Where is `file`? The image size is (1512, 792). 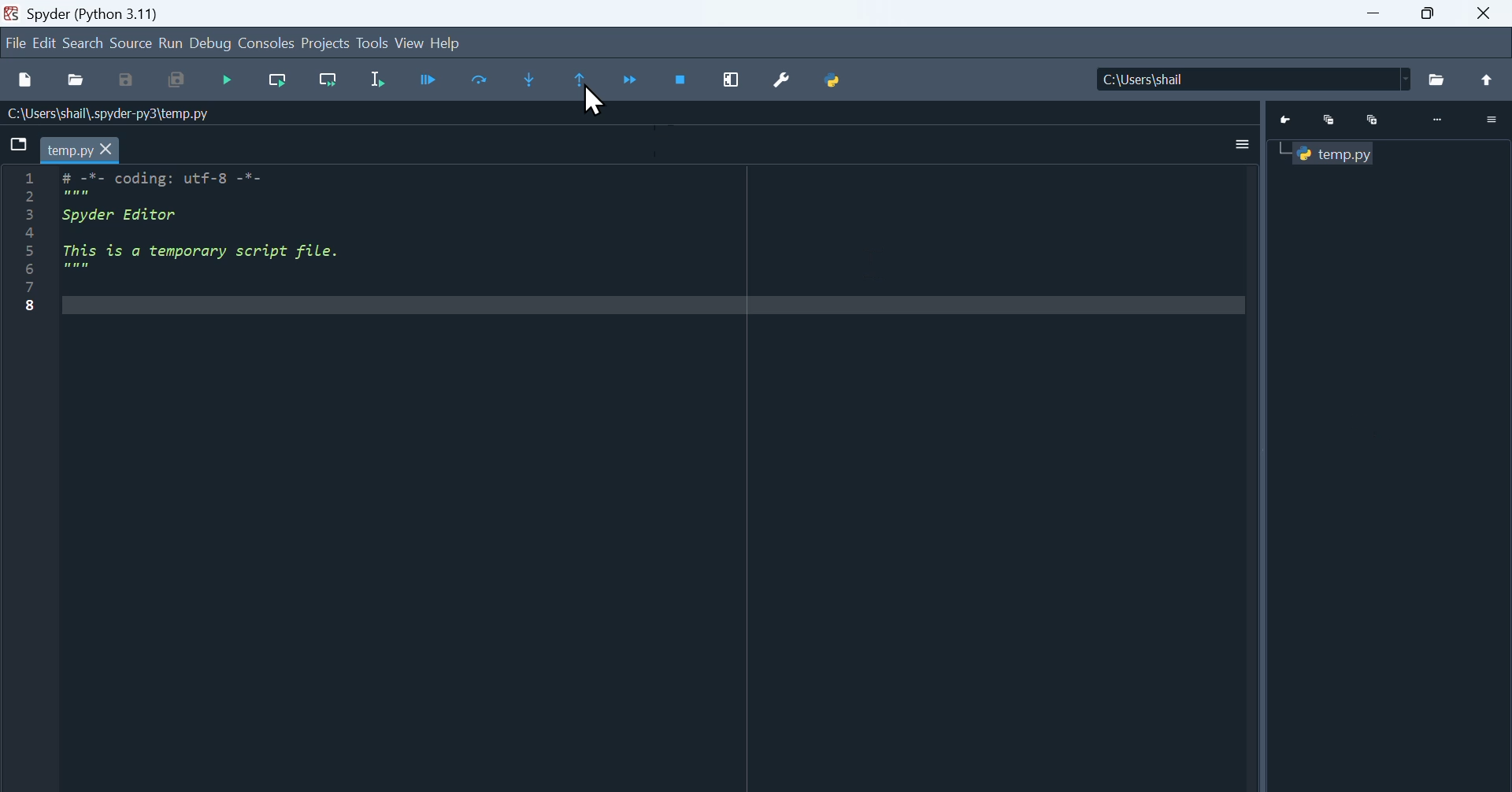
file is located at coordinates (14, 42).